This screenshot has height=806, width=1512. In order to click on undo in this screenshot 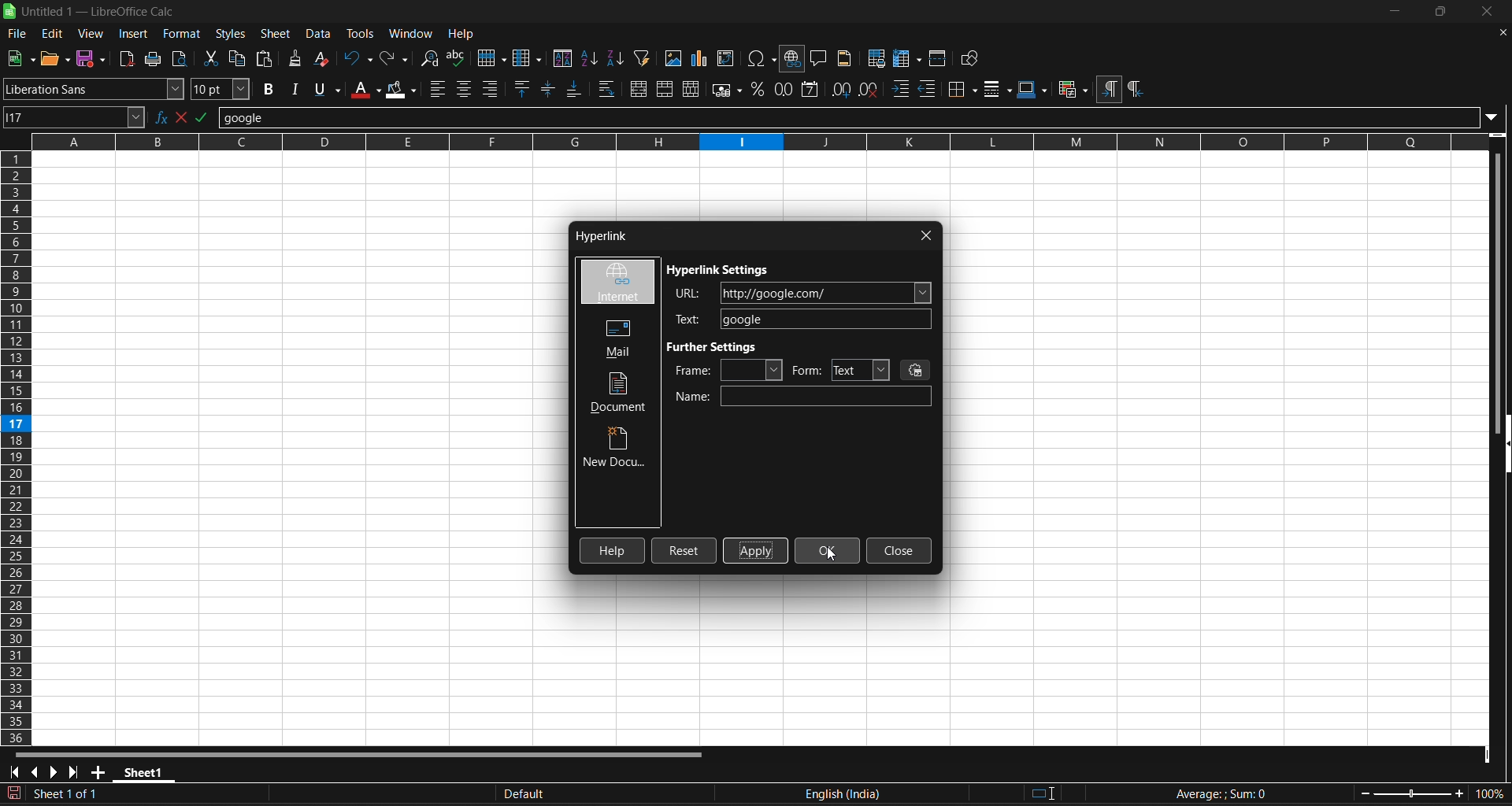, I will do `click(358, 58)`.